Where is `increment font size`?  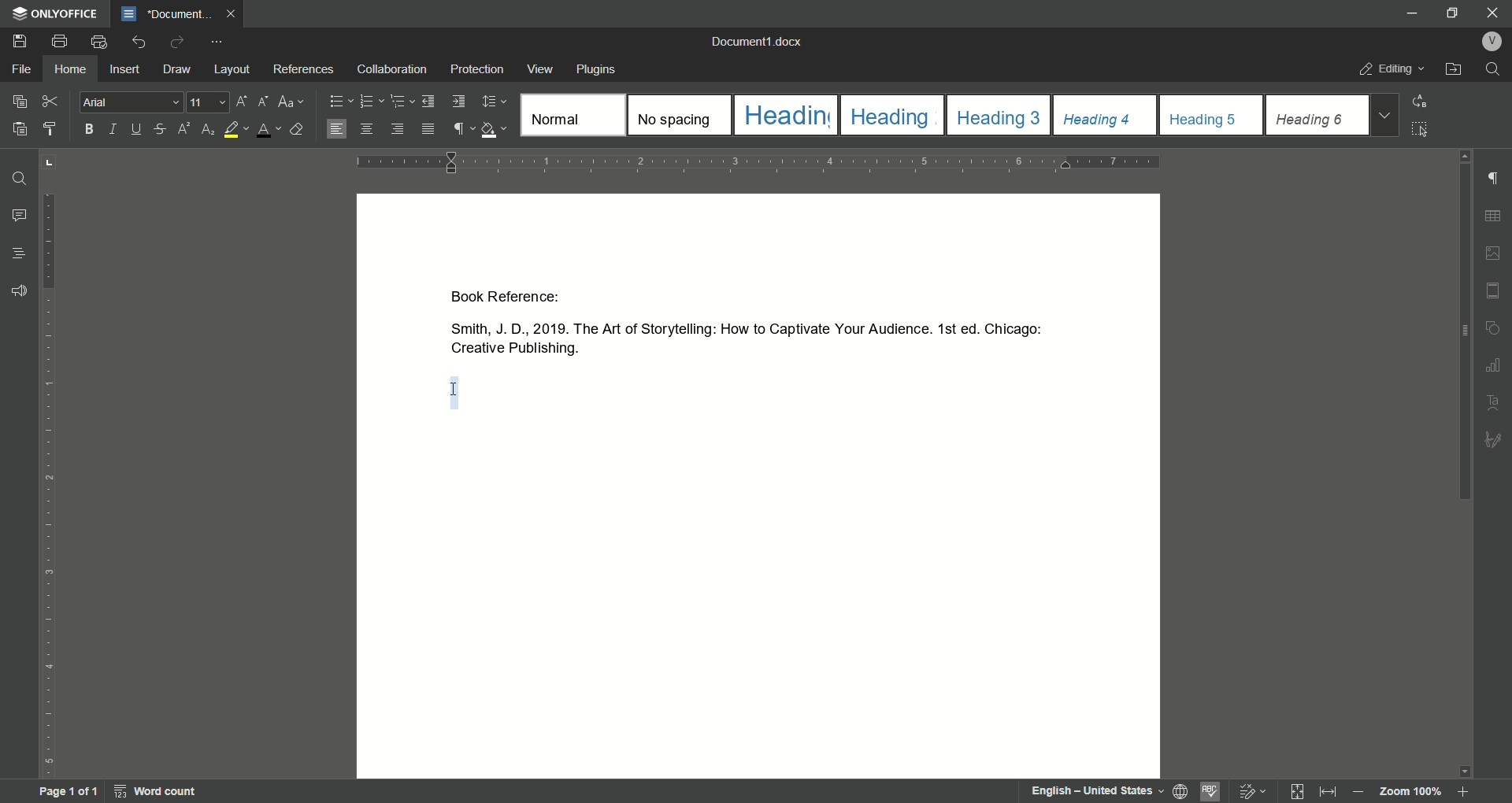 increment font size is located at coordinates (240, 102).